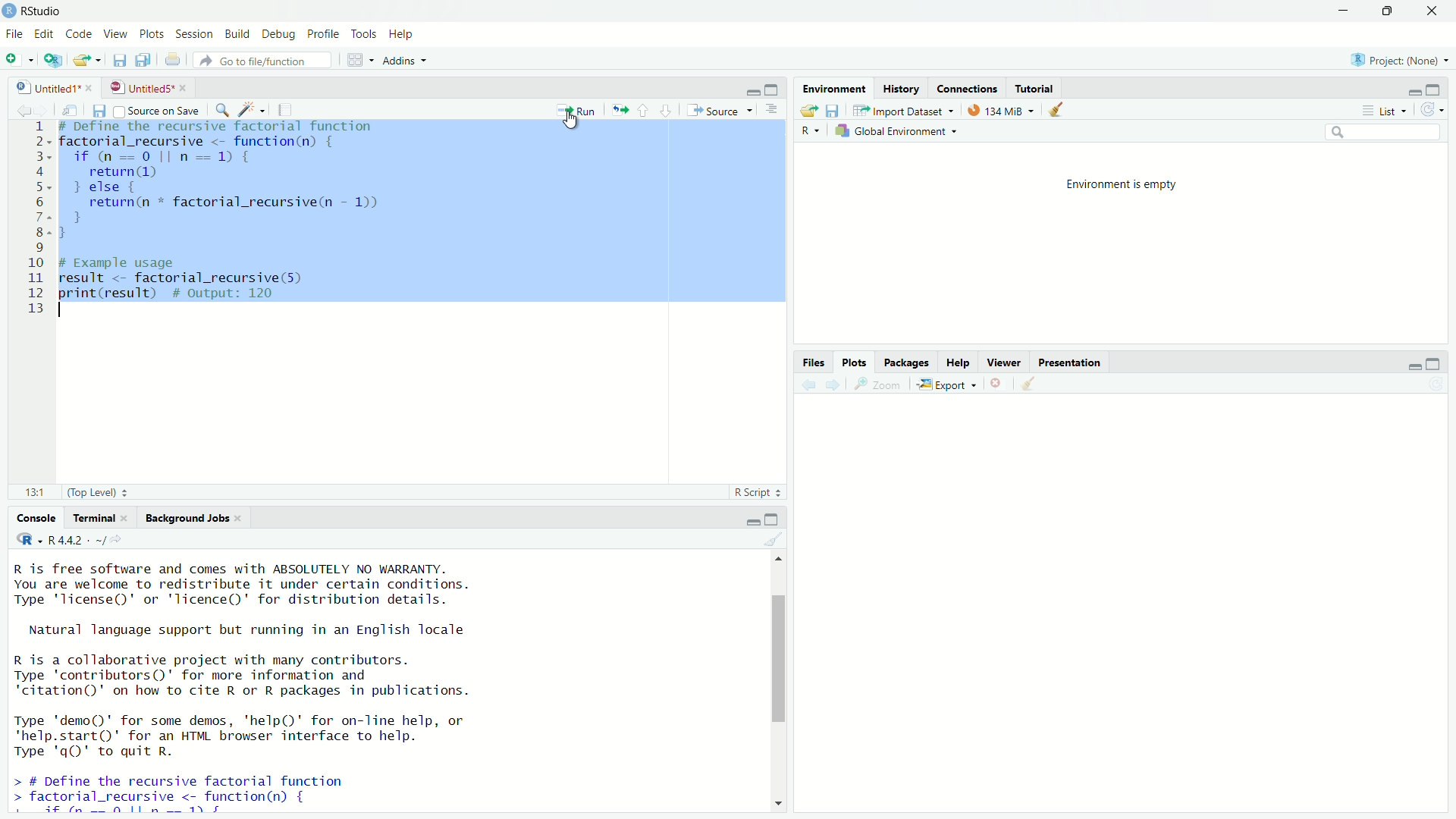 The height and width of the screenshot is (819, 1456). What do you see at coordinates (234, 33) in the screenshot?
I see `Build` at bounding box center [234, 33].